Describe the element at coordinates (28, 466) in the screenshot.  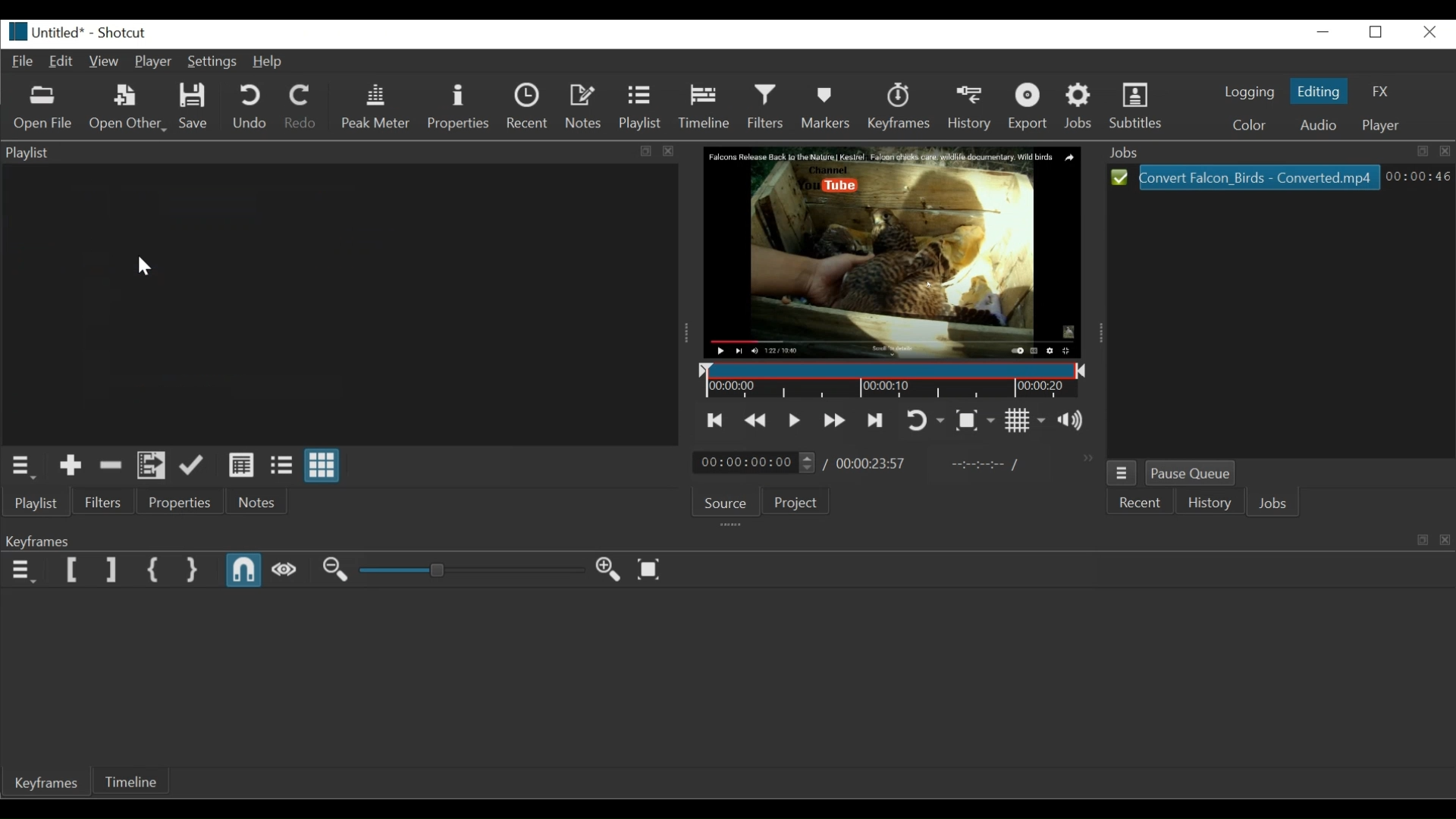
I see `Playlist menu` at that location.